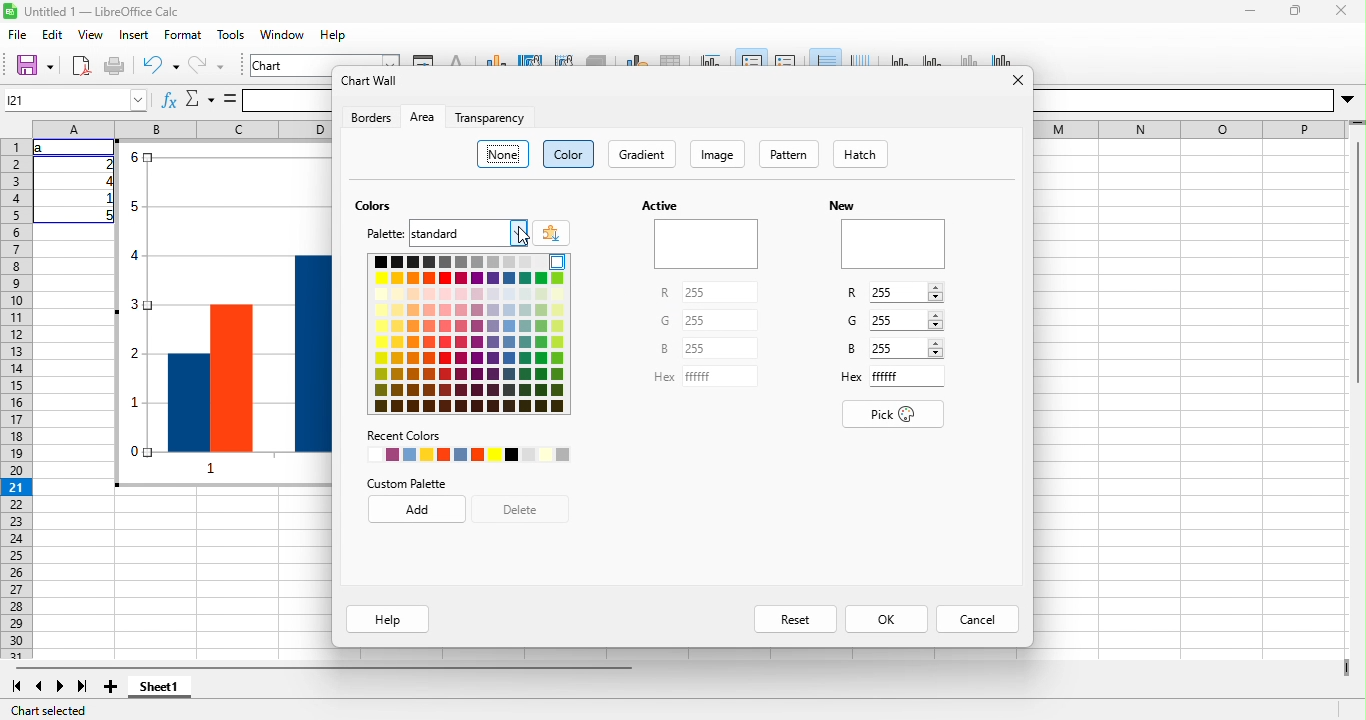 The height and width of the screenshot is (720, 1366). Describe the element at coordinates (84, 686) in the screenshot. I see `last sheet` at that location.